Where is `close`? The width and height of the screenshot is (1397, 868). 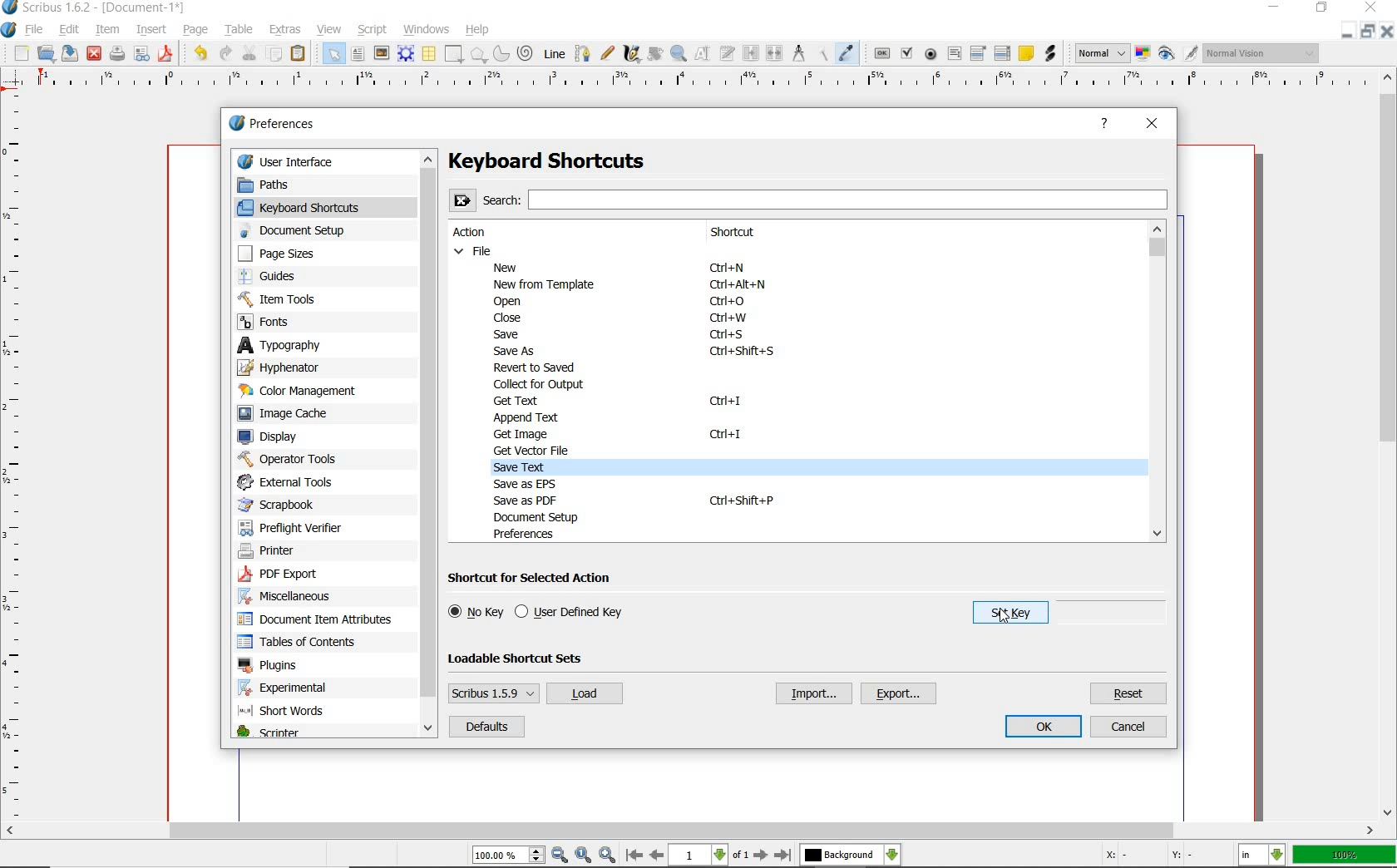 close is located at coordinates (94, 52).